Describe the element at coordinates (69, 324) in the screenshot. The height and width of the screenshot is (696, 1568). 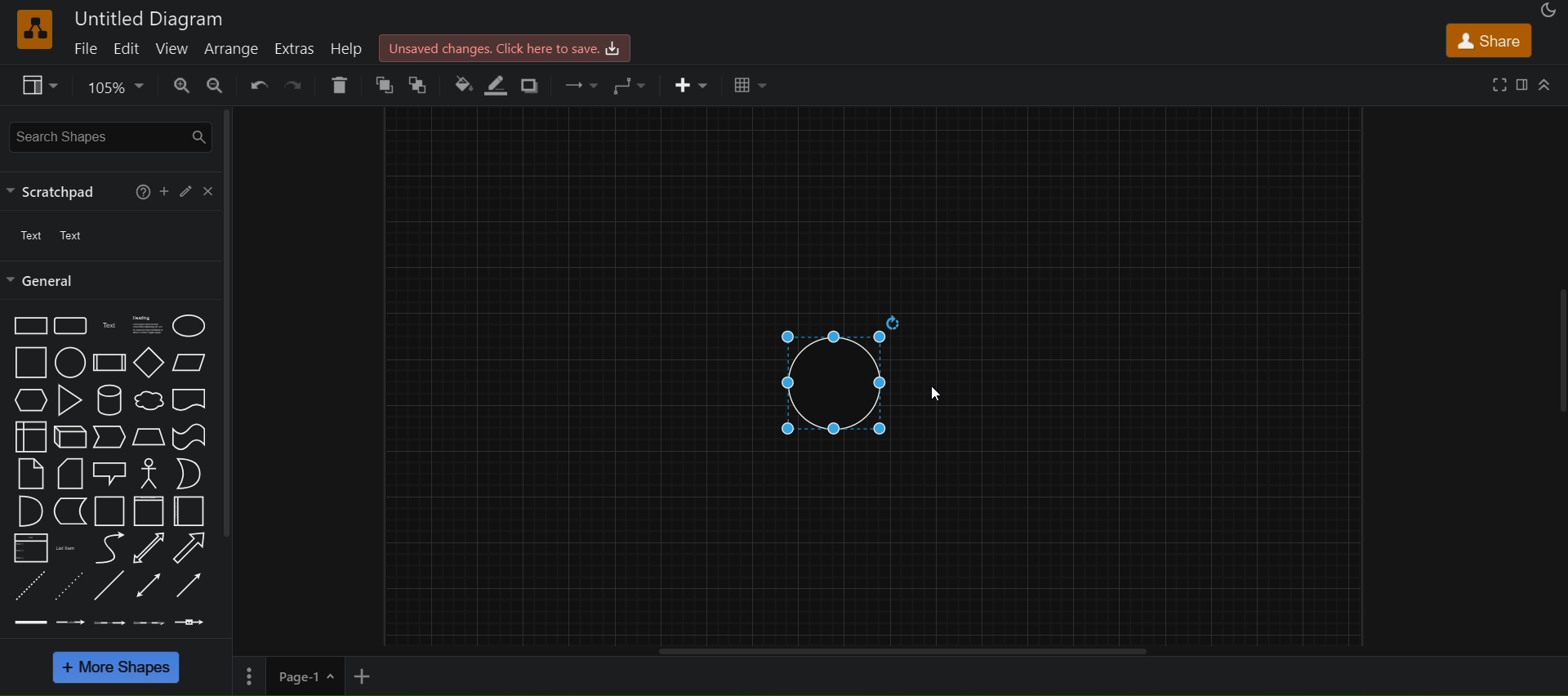
I see `rounded rectangle` at that location.